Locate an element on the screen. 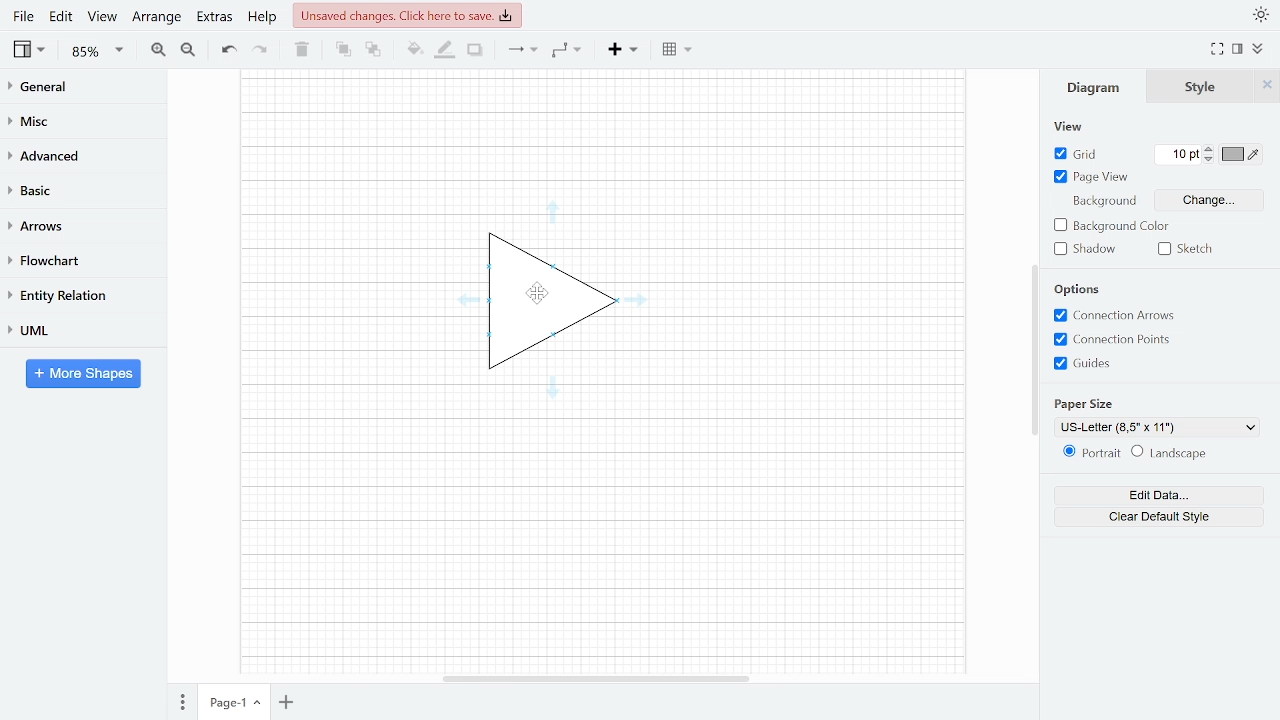 This screenshot has width=1280, height=720. Advanced is located at coordinates (77, 154).